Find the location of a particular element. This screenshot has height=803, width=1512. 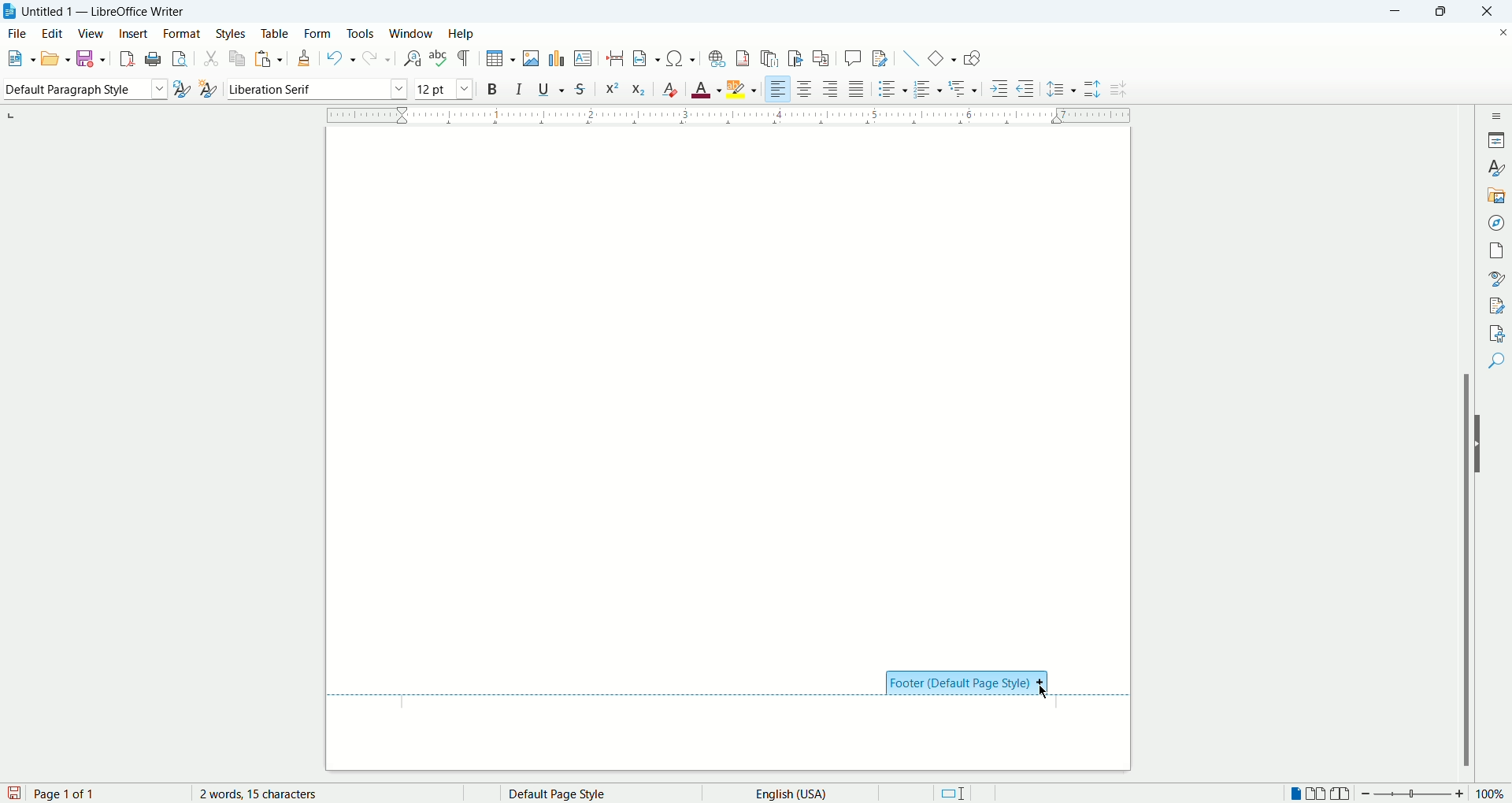

insert image is located at coordinates (534, 58).